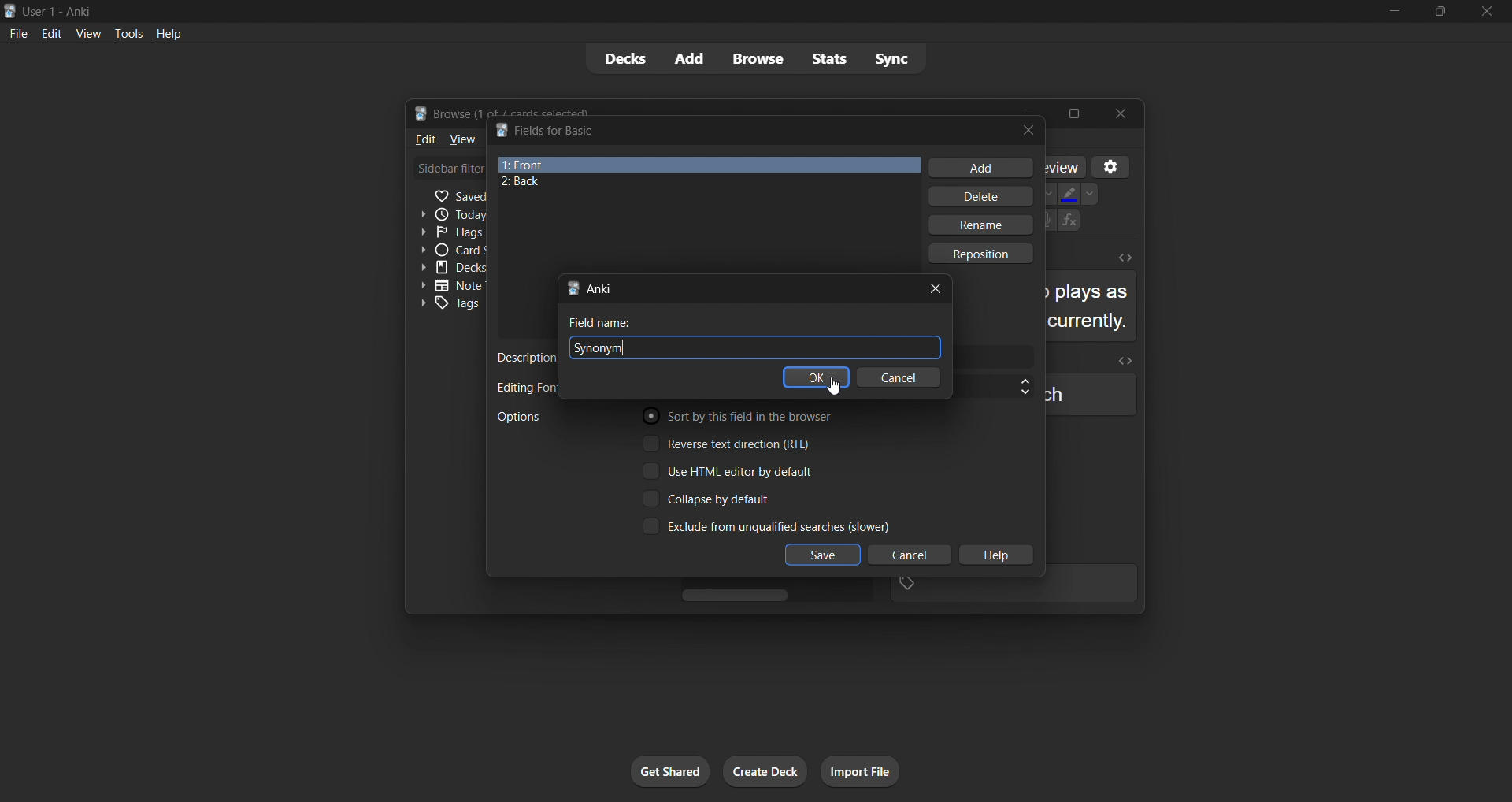 The width and height of the screenshot is (1512, 802). Describe the element at coordinates (691, 58) in the screenshot. I see `add` at that location.